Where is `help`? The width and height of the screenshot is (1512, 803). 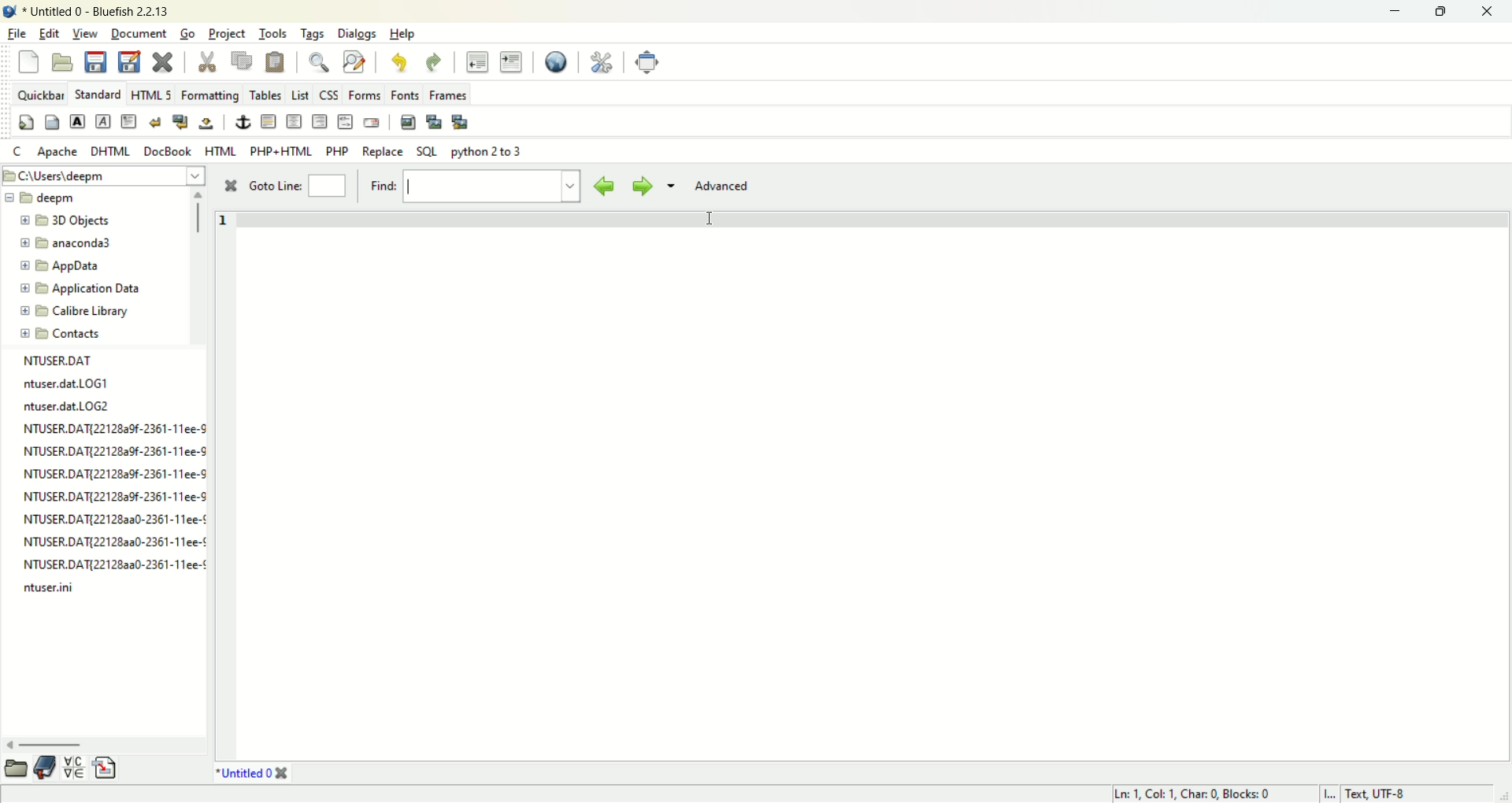 help is located at coordinates (403, 34).